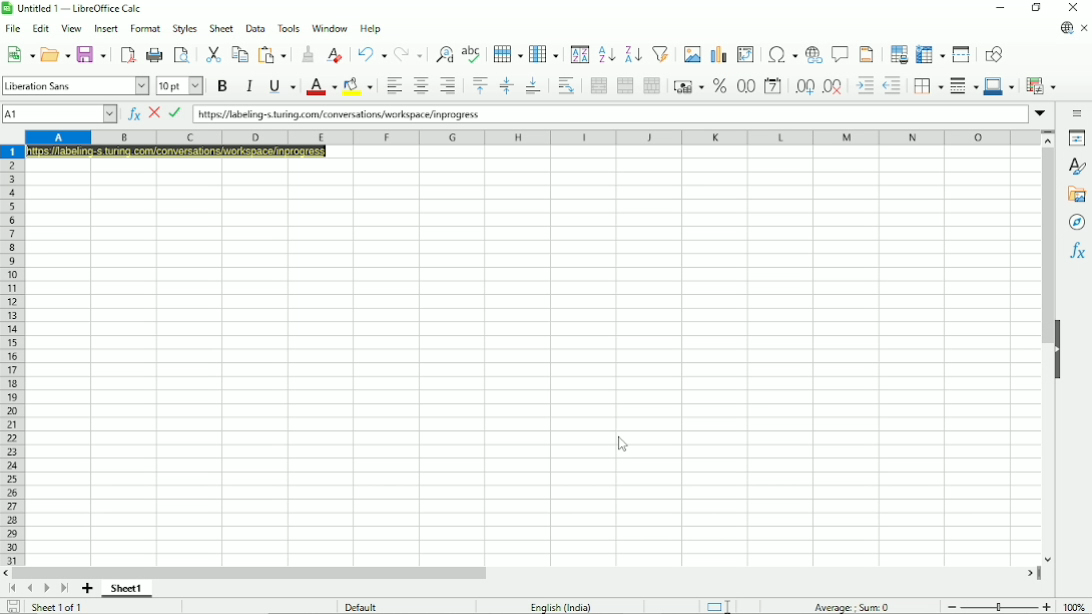  What do you see at coordinates (479, 85) in the screenshot?
I see `Align top` at bounding box center [479, 85].